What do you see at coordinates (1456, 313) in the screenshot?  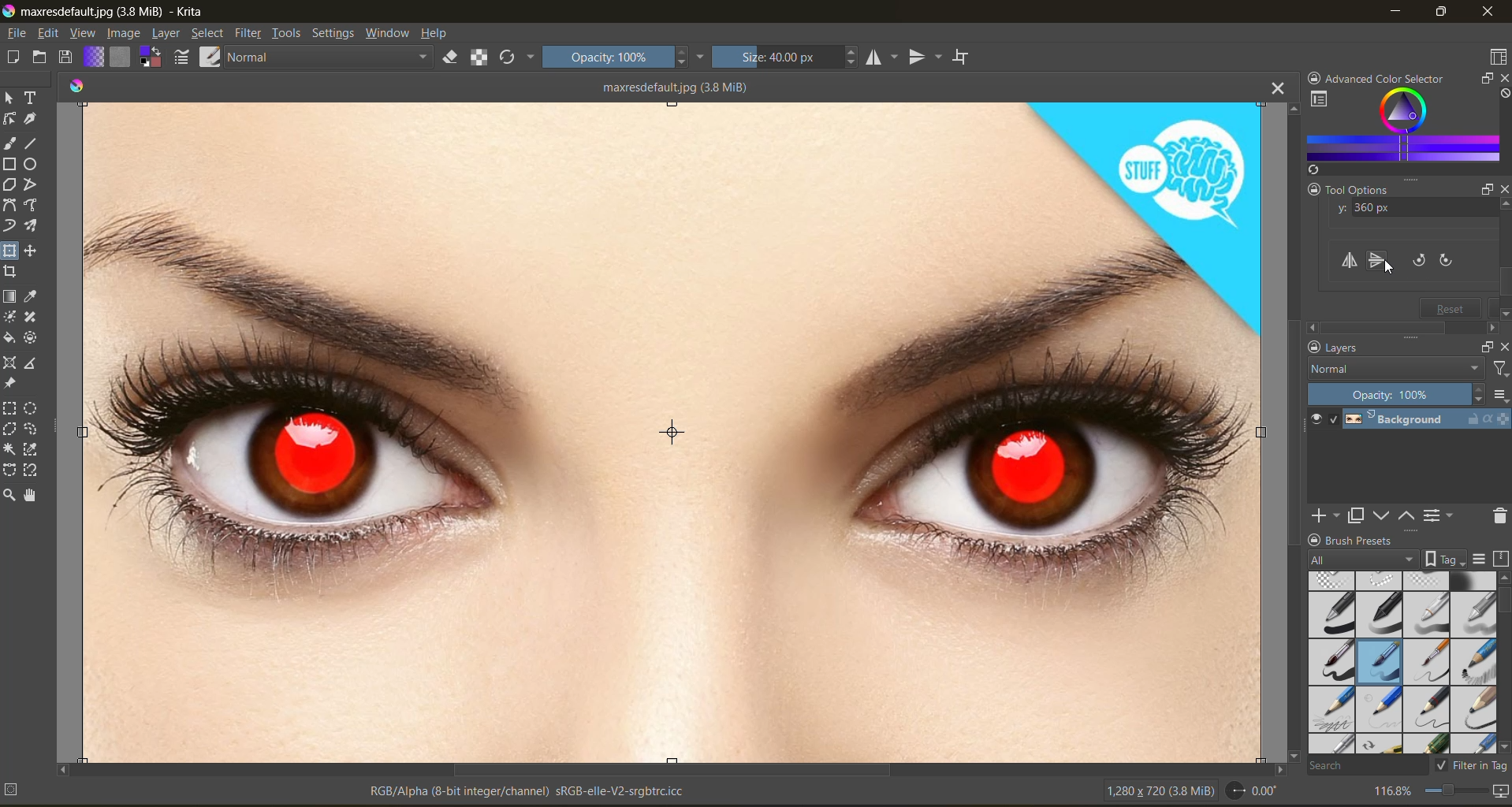 I see `reset` at bounding box center [1456, 313].